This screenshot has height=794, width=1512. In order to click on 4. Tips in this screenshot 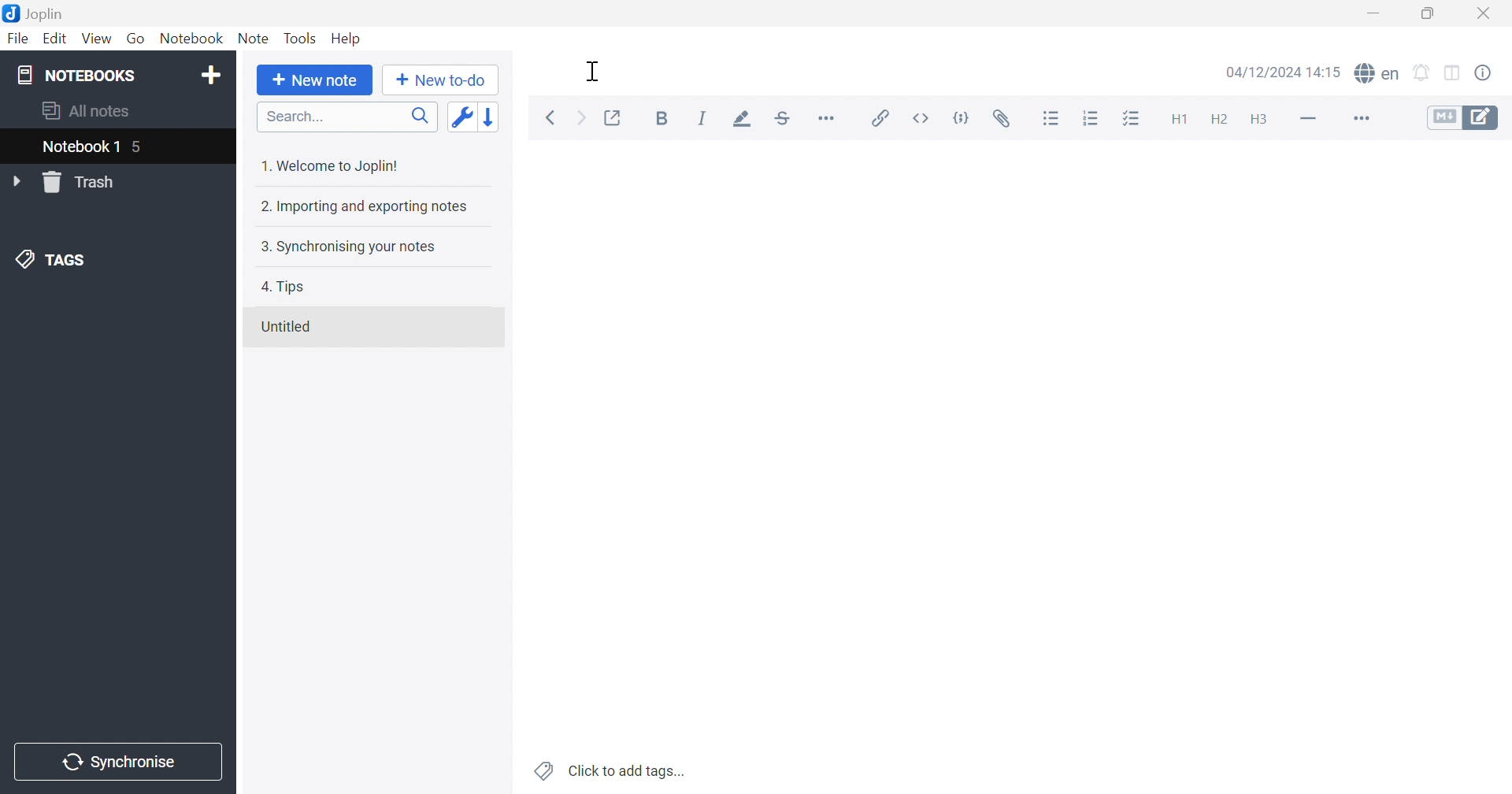, I will do `click(283, 287)`.